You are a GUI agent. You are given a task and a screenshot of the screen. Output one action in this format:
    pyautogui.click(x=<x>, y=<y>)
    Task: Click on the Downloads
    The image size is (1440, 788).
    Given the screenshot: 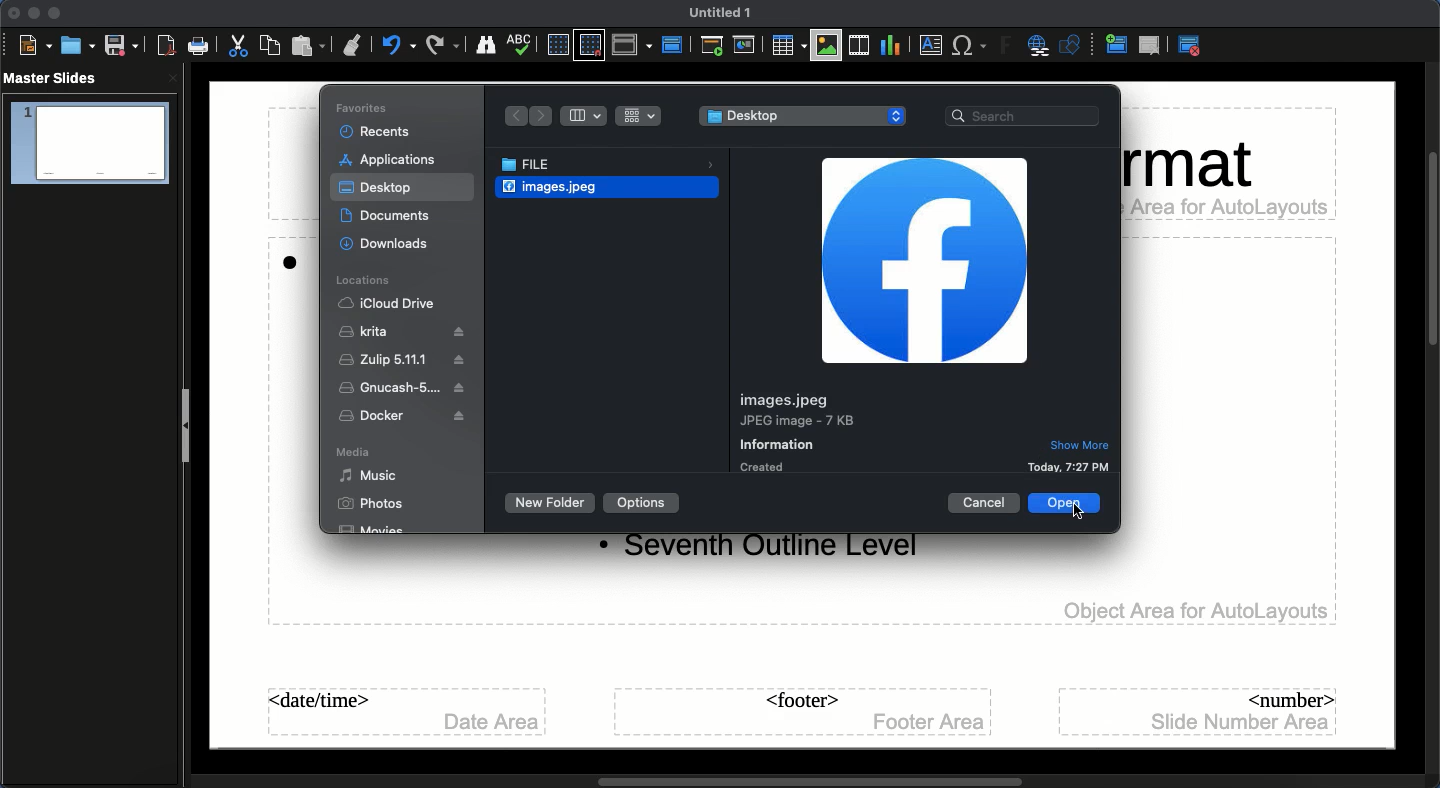 What is the action you would take?
    pyautogui.click(x=392, y=244)
    